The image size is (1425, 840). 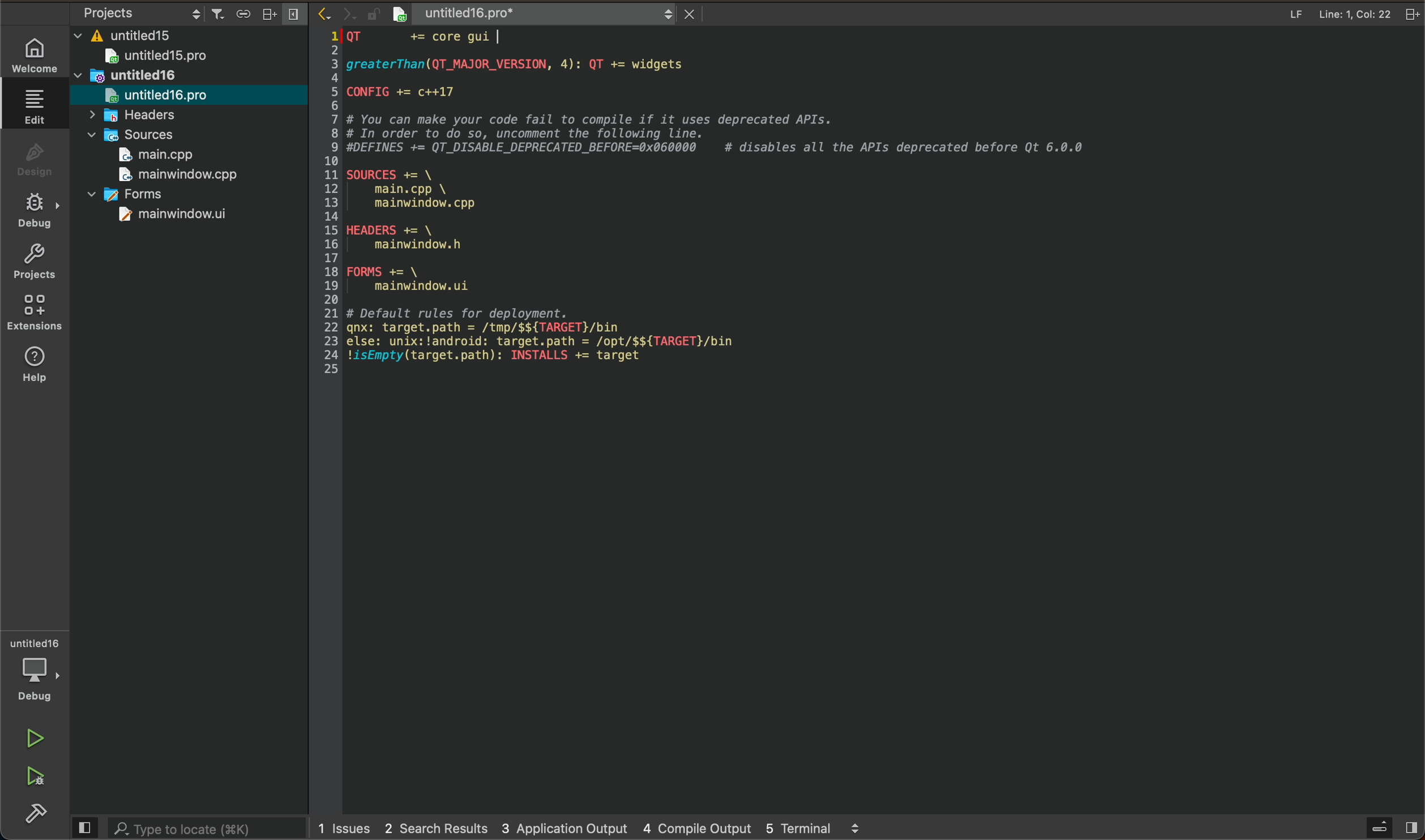 What do you see at coordinates (36, 107) in the screenshot?
I see `edit file` at bounding box center [36, 107].